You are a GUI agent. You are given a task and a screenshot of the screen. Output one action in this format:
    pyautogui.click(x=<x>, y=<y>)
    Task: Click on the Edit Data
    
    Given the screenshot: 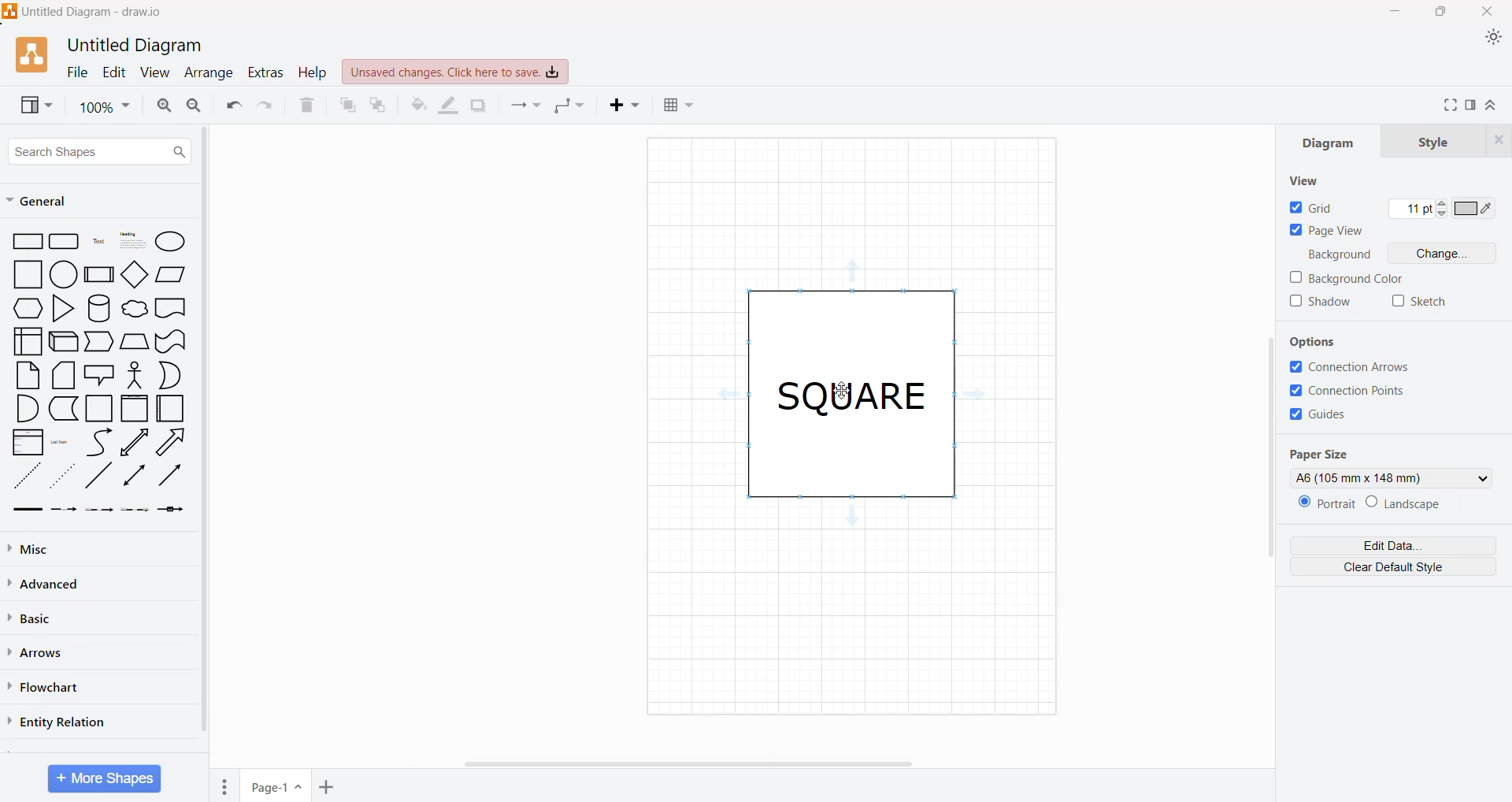 What is the action you would take?
    pyautogui.click(x=1395, y=542)
    